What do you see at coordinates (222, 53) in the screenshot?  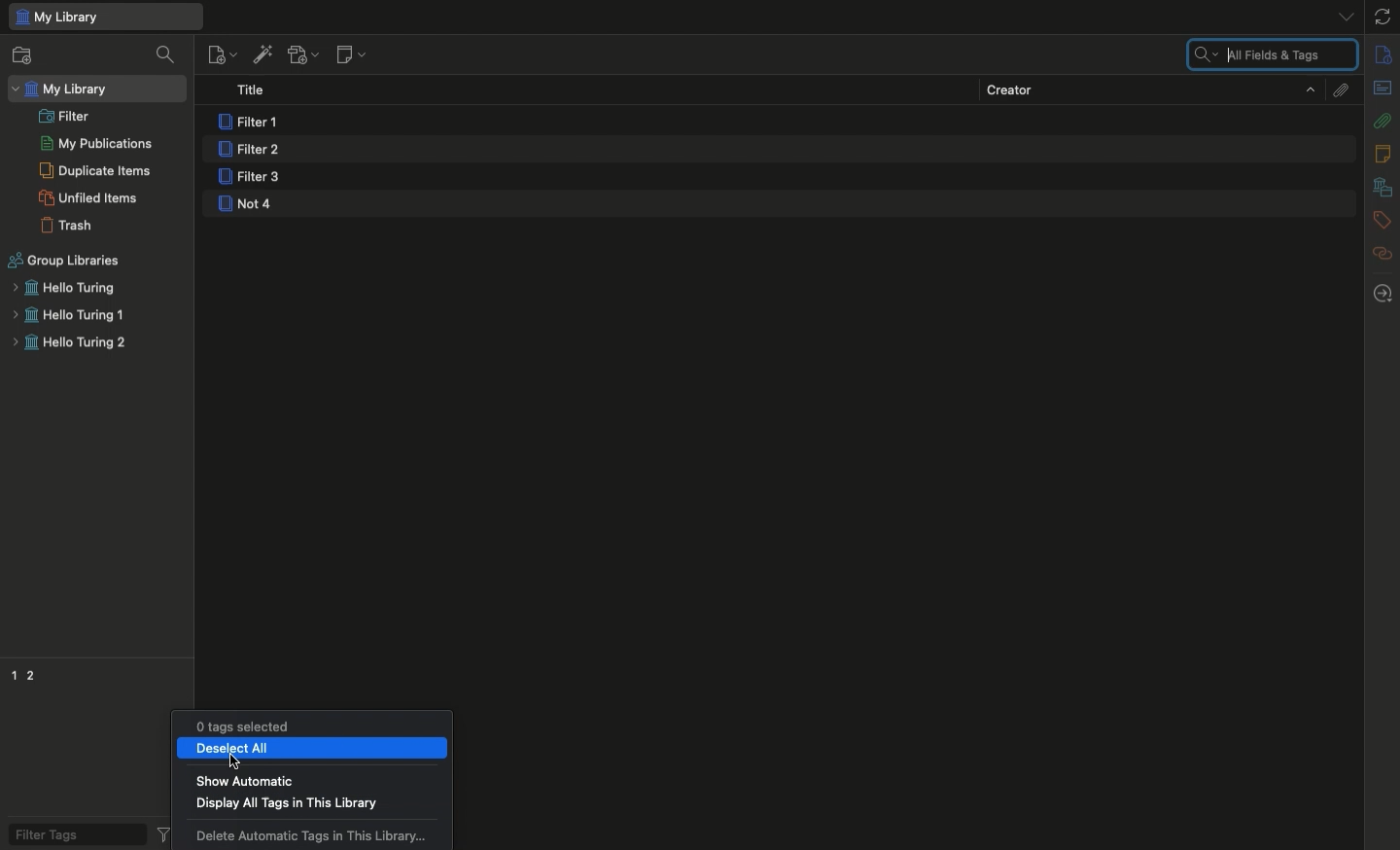 I see `New item` at bounding box center [222, 53].